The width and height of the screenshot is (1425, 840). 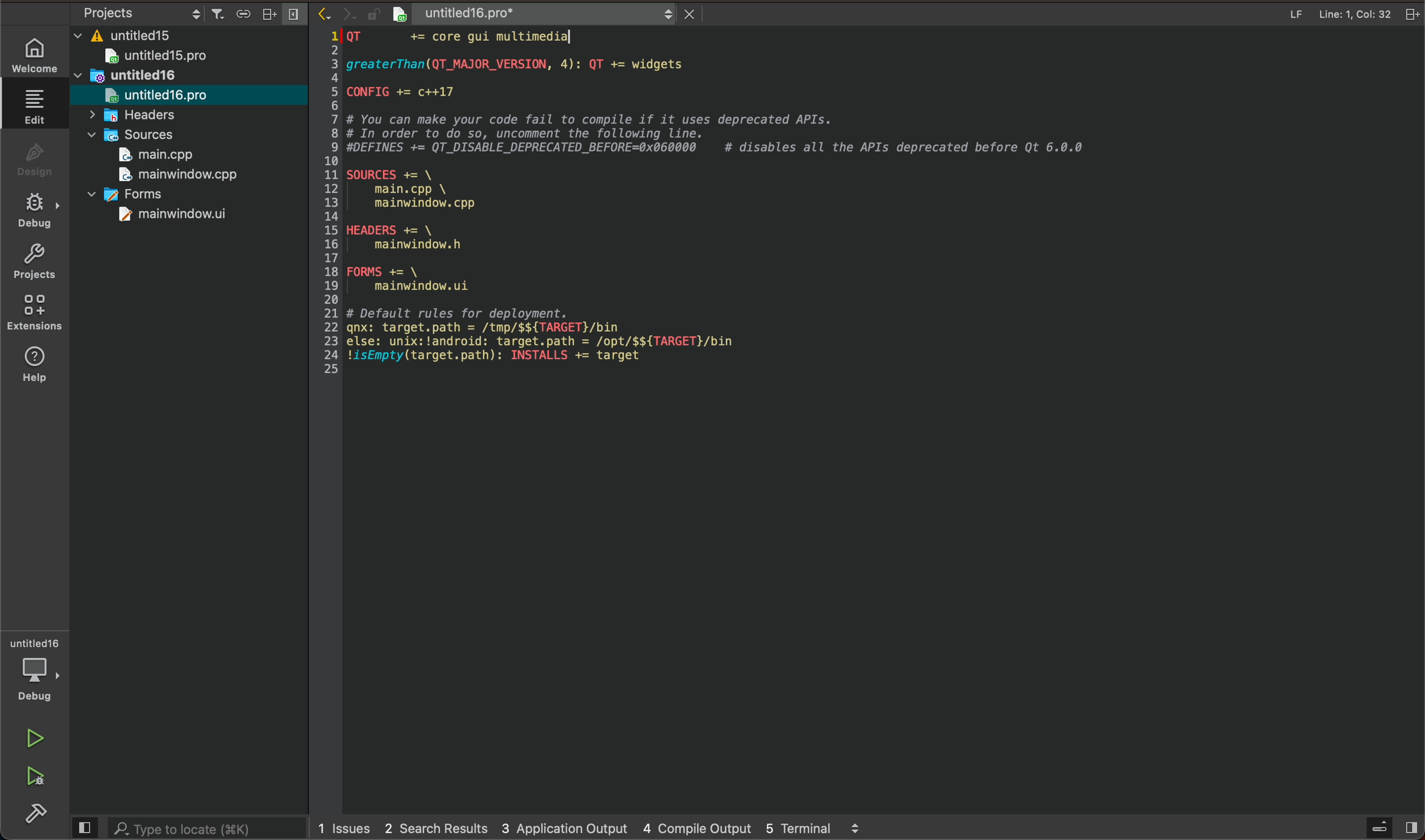 What do you see at coordinates (40, 816) in the screenshot?
I see `build` at bounding box center [40, 816].